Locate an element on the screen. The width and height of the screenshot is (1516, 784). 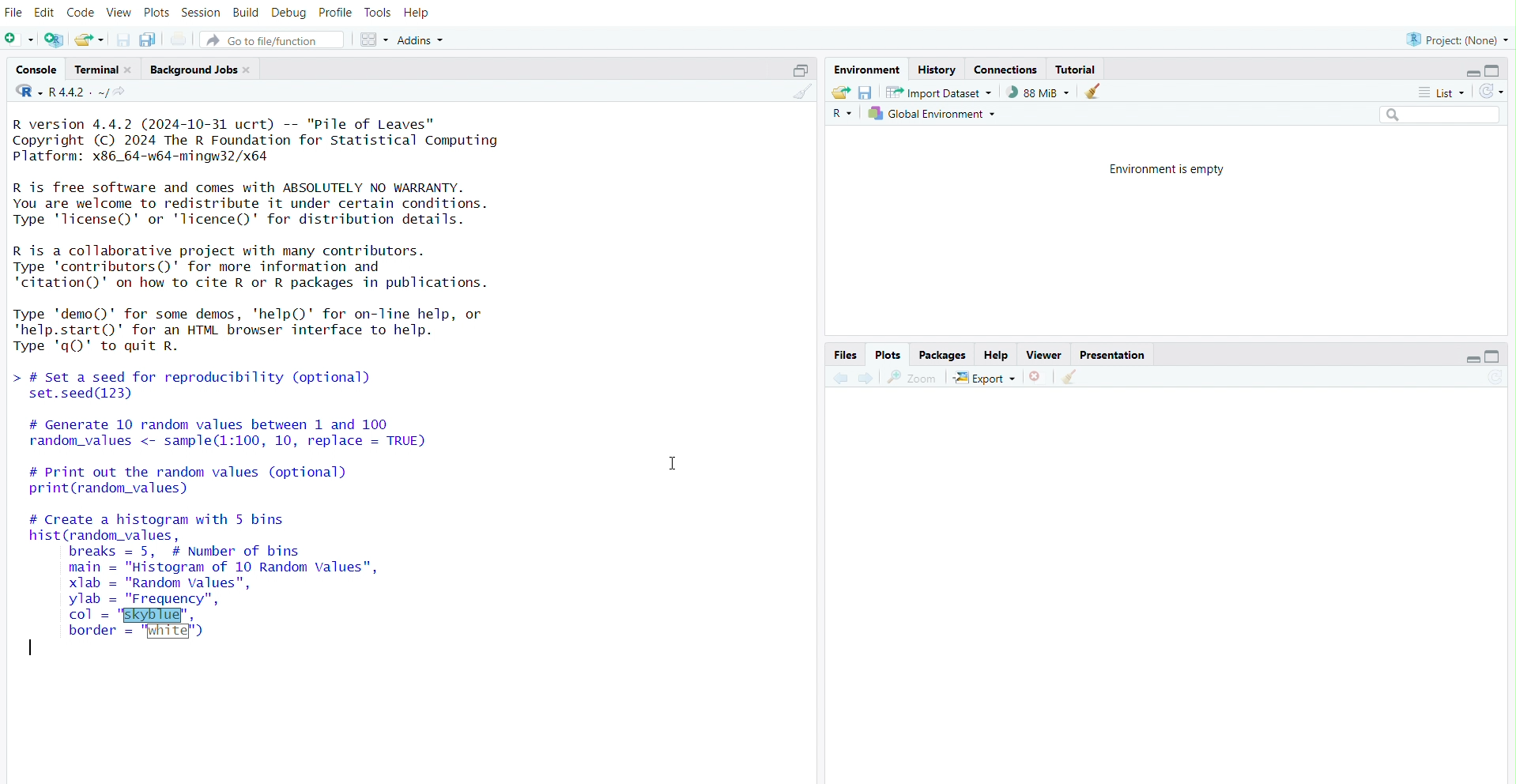
import dataset is located at coordinates (941, 92).